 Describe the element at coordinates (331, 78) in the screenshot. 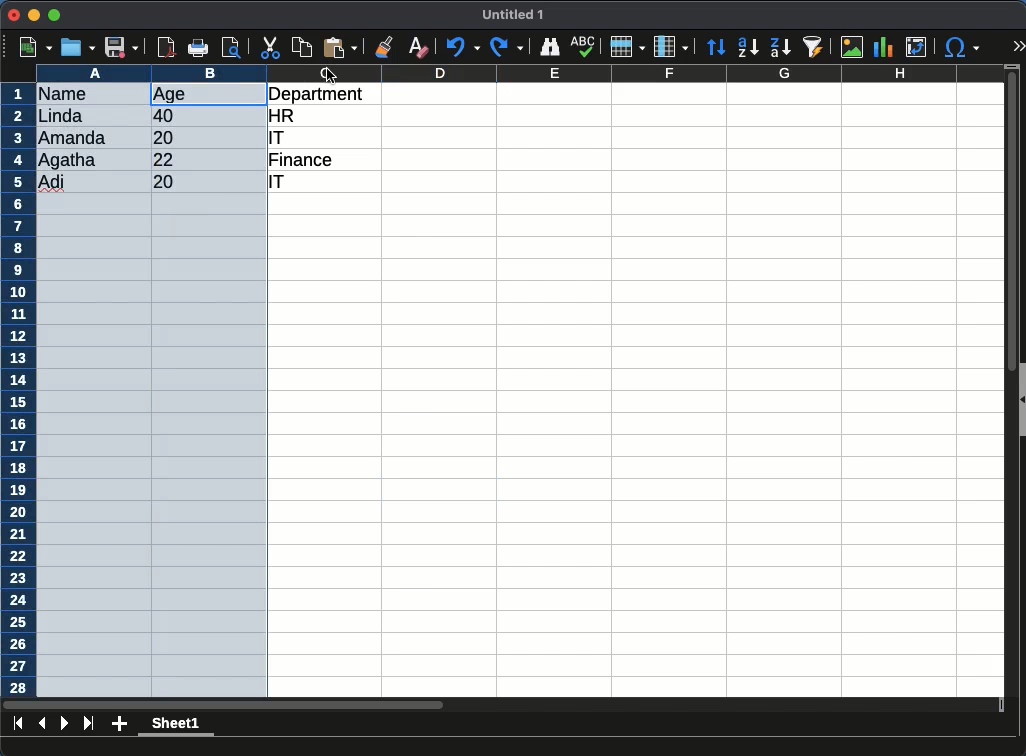

I see `cursor` at that location.